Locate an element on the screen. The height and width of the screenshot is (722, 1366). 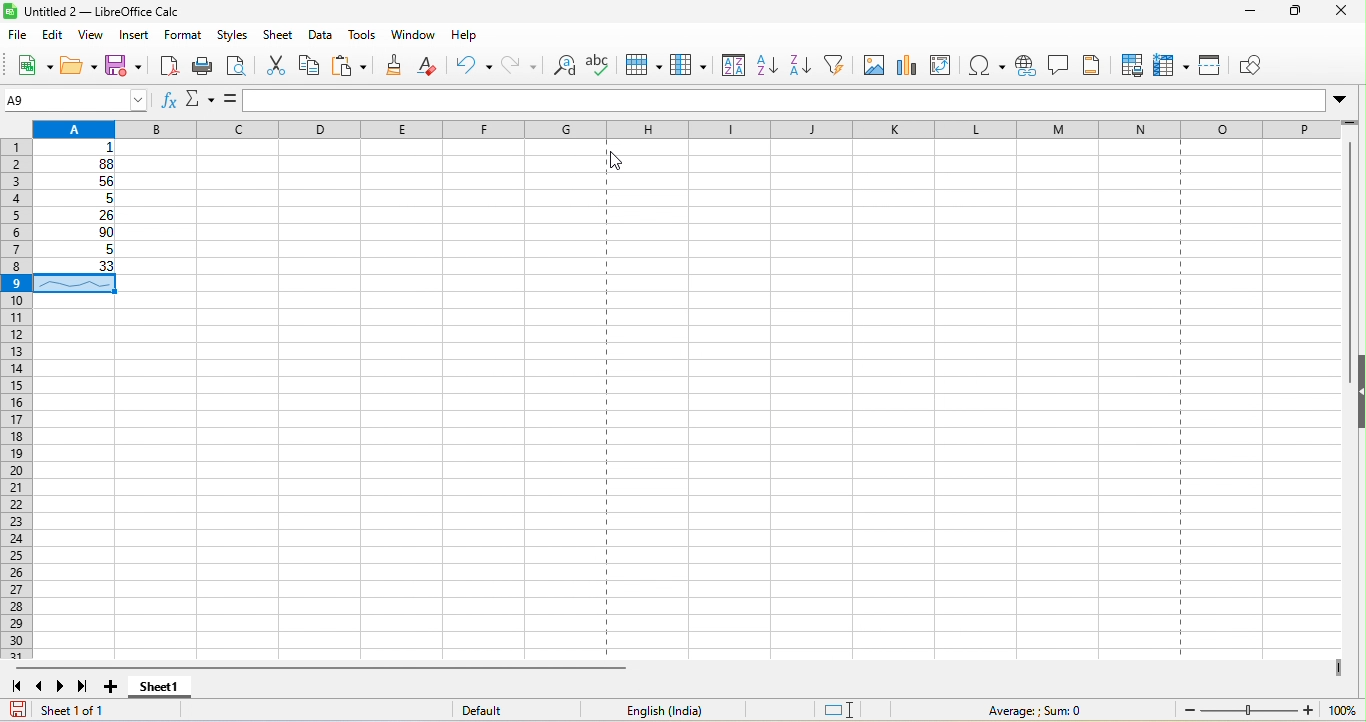
90 is located at coordinates (78, 234).